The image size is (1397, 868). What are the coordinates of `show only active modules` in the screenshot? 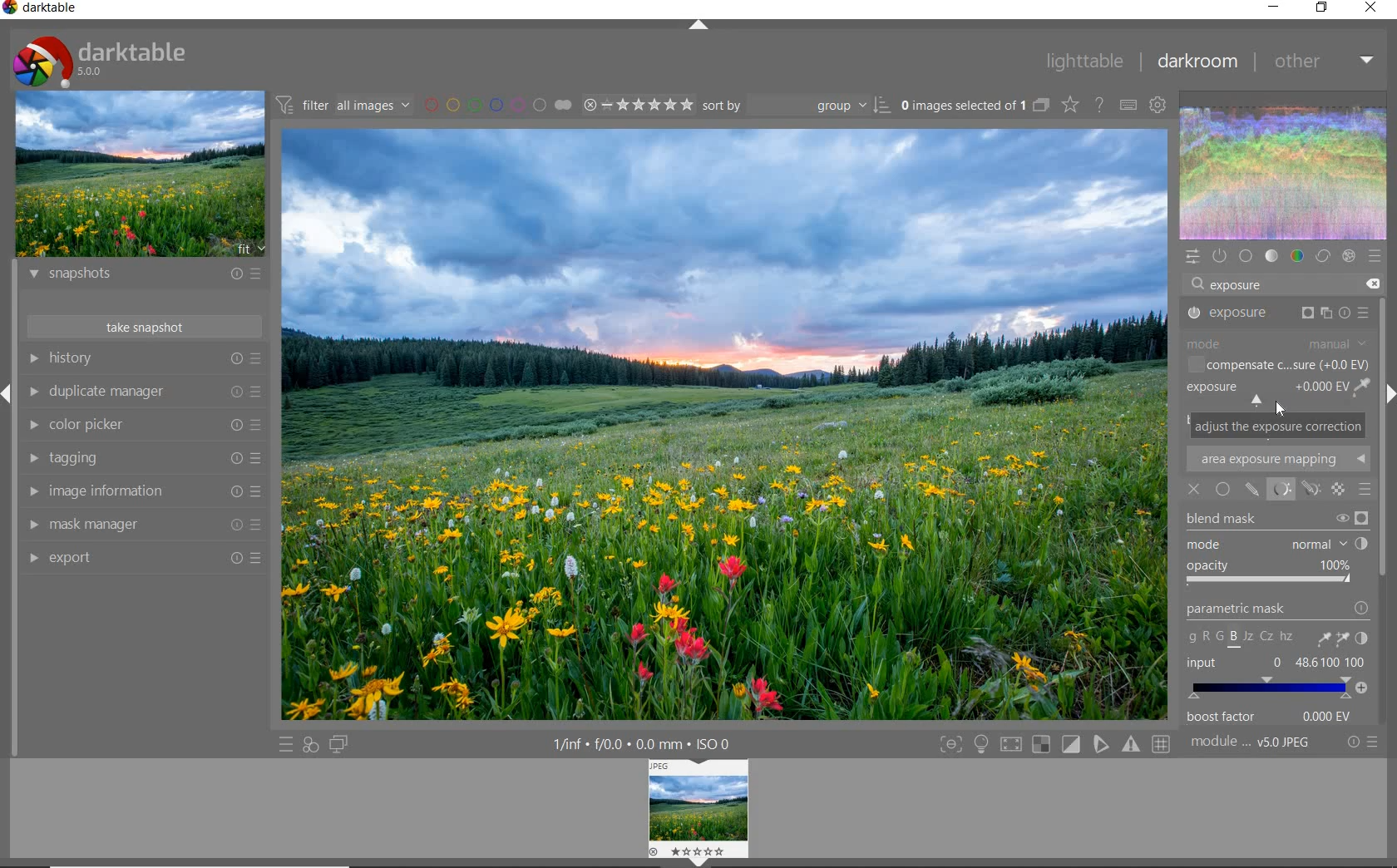 It's located at (1218, 256).